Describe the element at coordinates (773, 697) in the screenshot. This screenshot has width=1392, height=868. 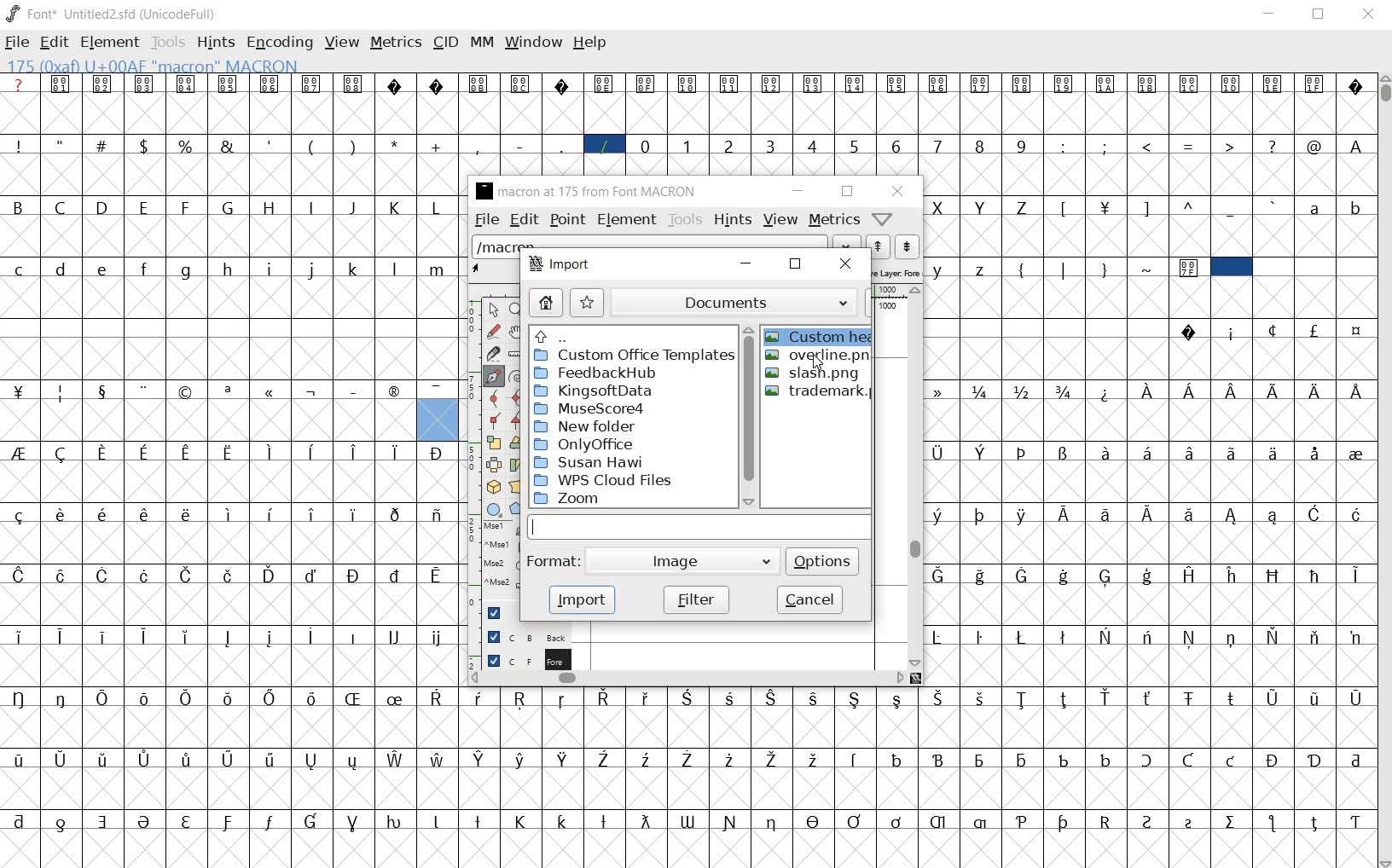
I see `Symbol` at that location.